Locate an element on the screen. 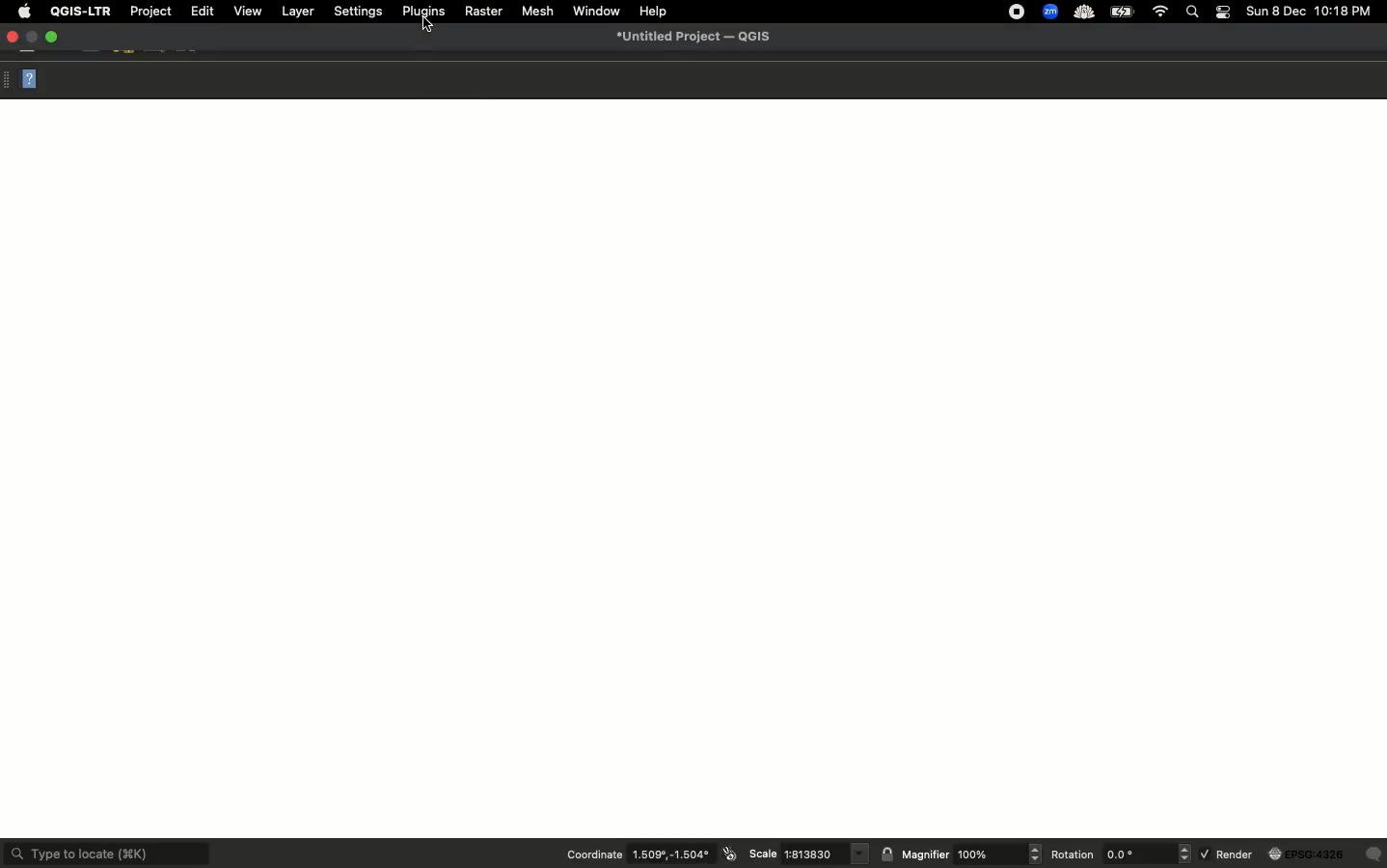  Edit is located at coordinates (202, 11).